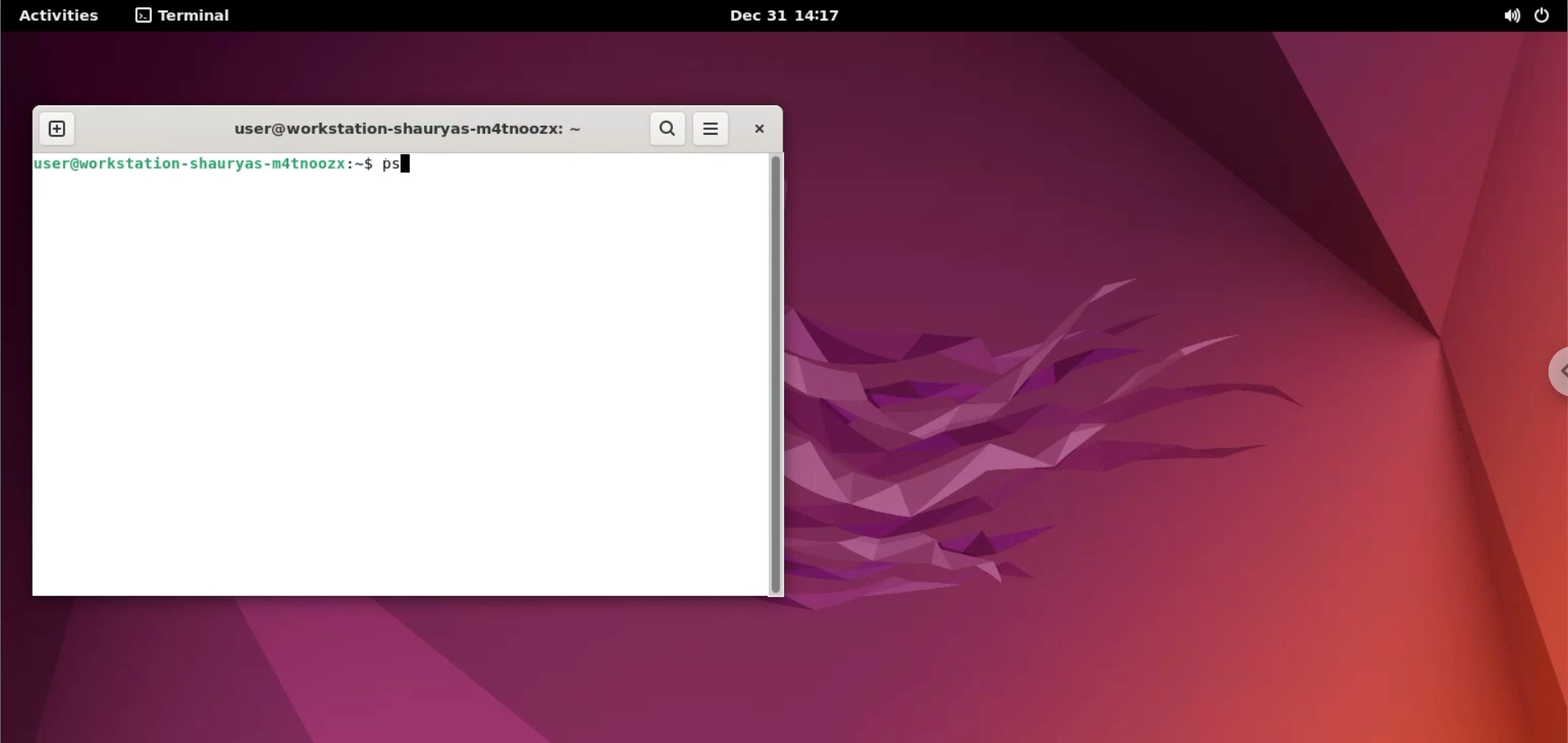  Describe the element at coordinates (407, 129) in the screenshot. I see `user@workstation-shauryas-m4tnoozx: ~` at that location.